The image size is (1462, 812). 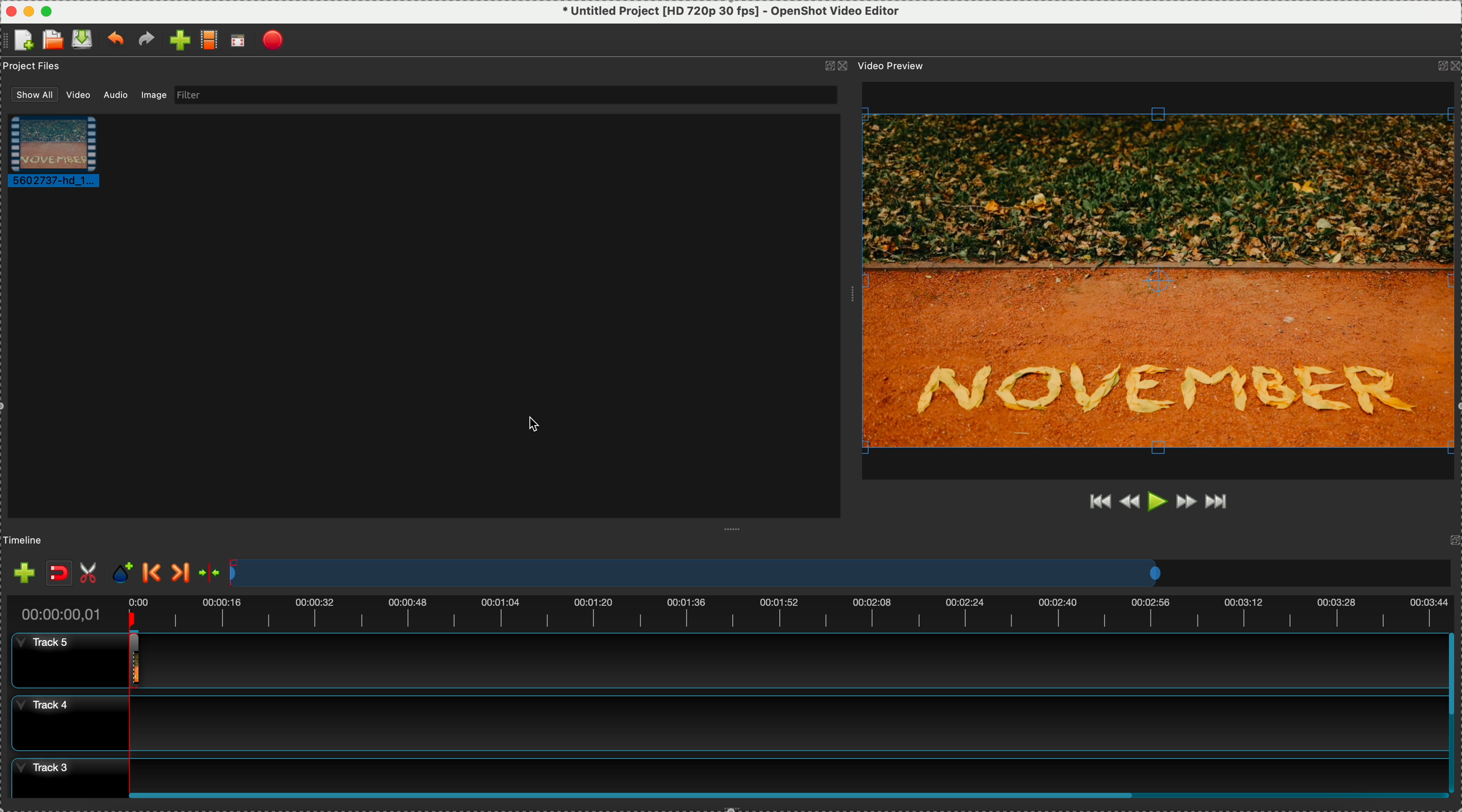 What do you see at coordinates (275, 40) in the screenshot?
I see `export video` at bounding box center [275, 40].